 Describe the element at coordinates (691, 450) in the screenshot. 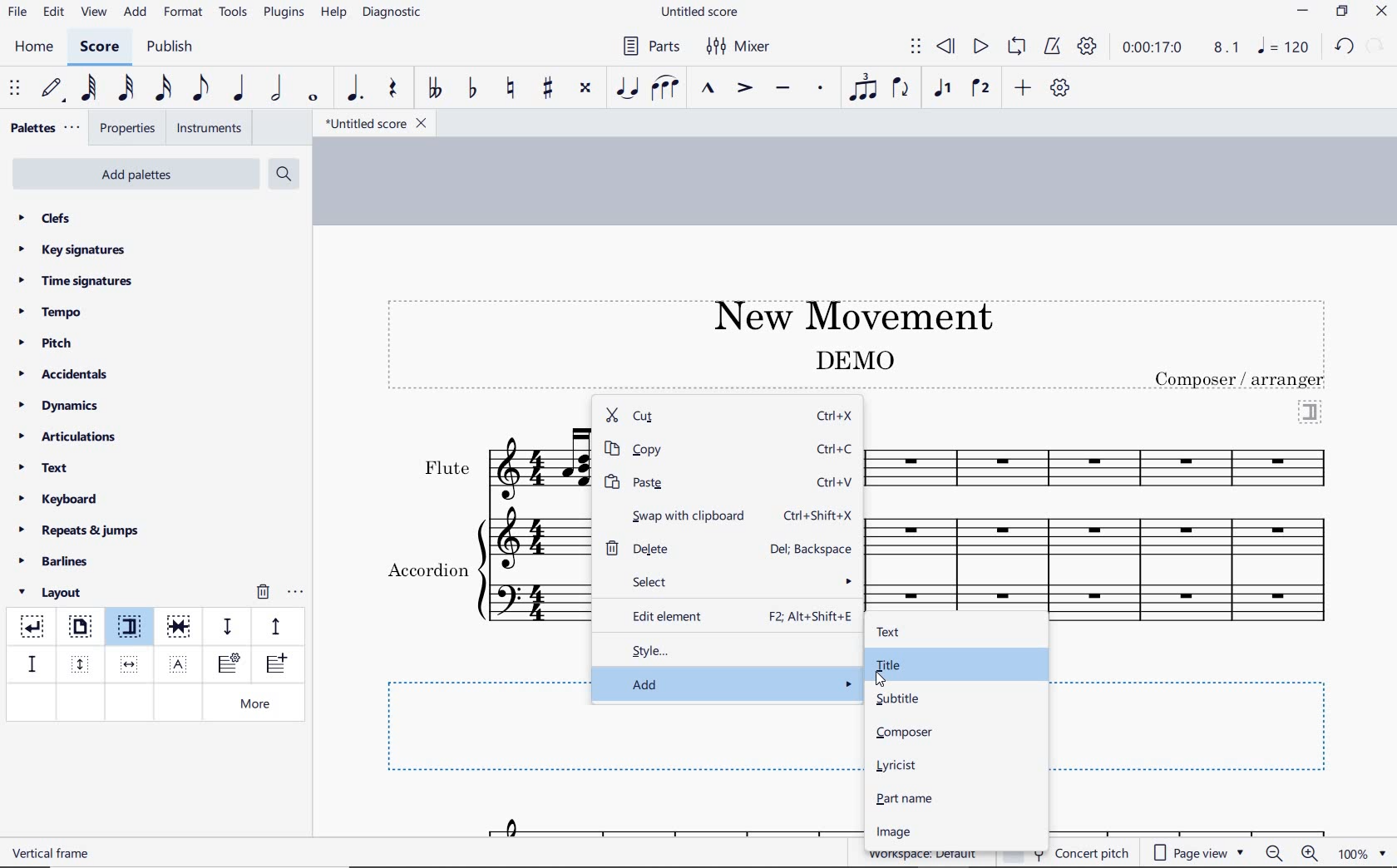

I see `copy` at that location.